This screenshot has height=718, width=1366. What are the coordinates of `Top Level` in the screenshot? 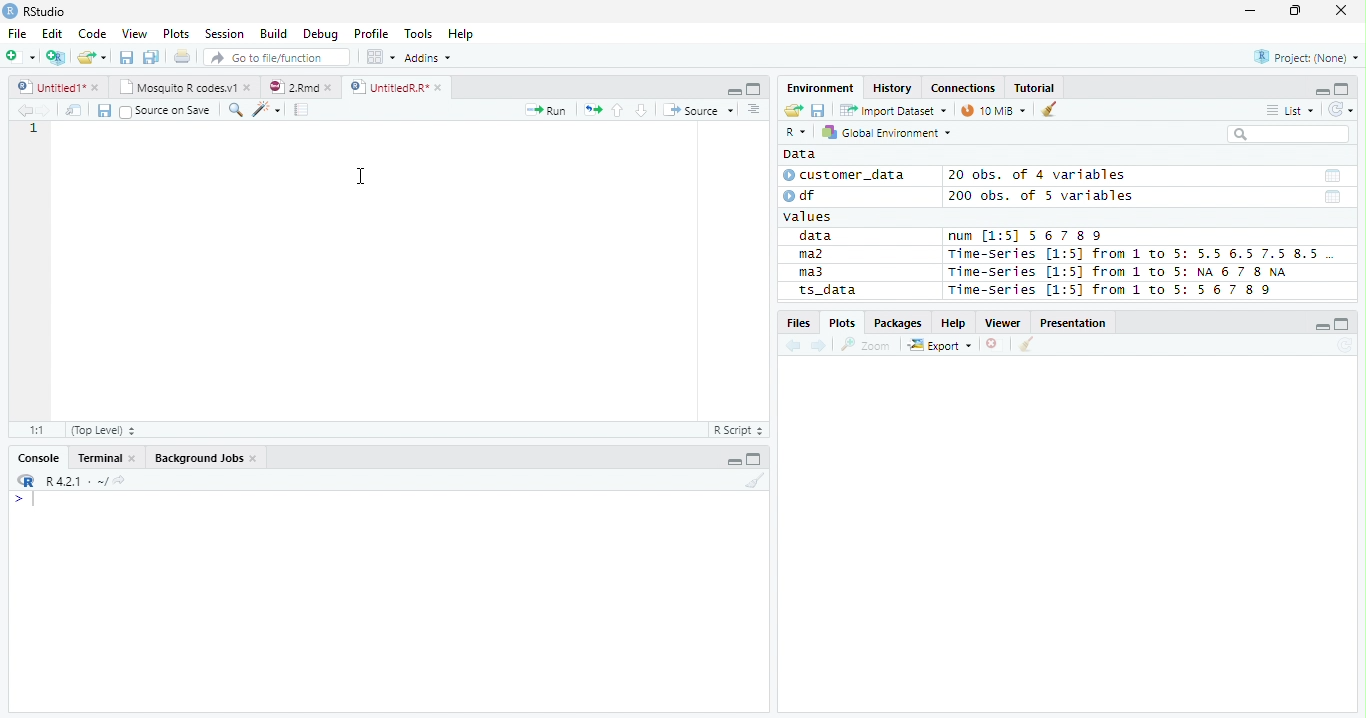 It's located at (101, 431).